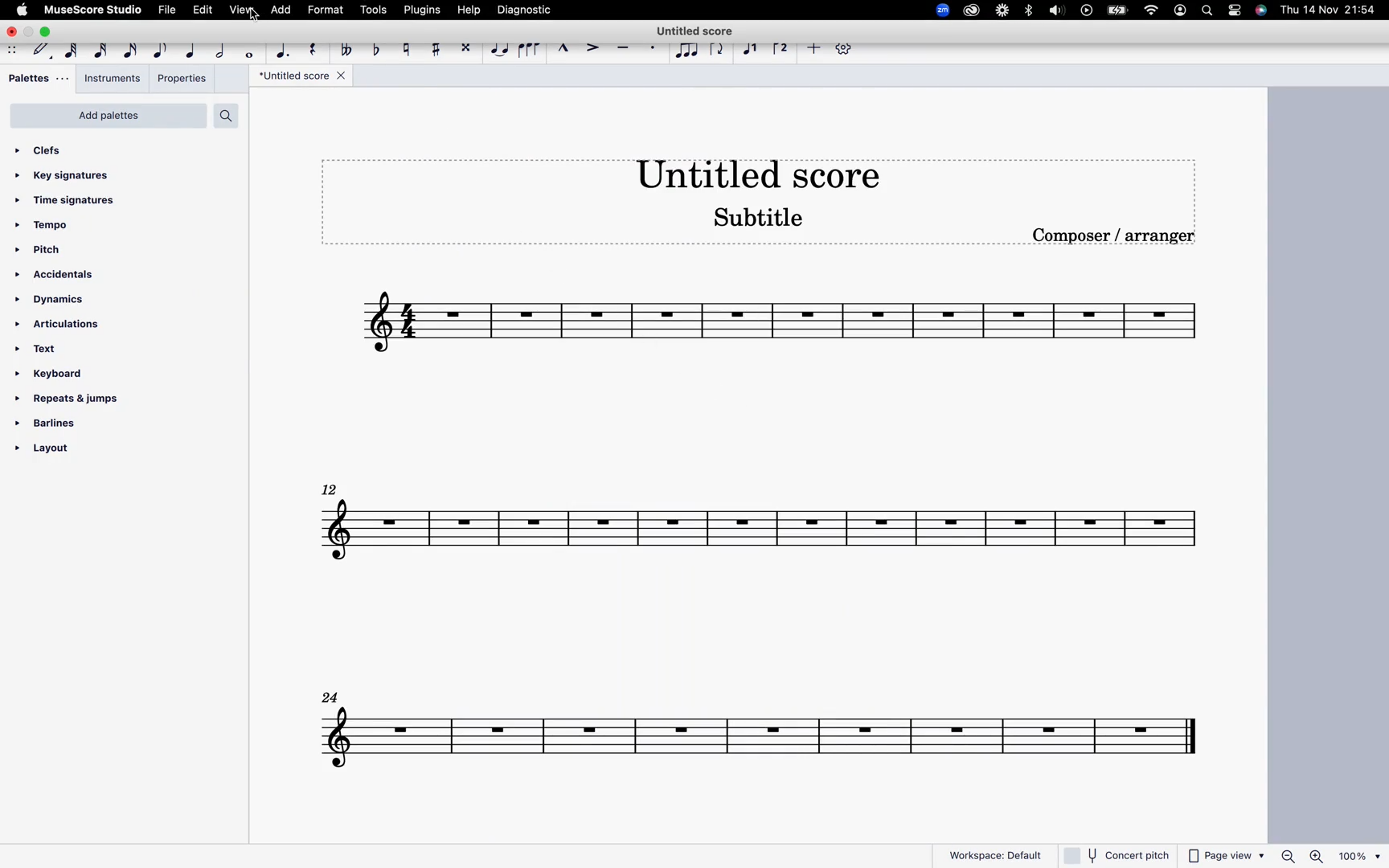  Describe the element at coordinates (528, 51) in the screenshot. I see `slur` at that location.